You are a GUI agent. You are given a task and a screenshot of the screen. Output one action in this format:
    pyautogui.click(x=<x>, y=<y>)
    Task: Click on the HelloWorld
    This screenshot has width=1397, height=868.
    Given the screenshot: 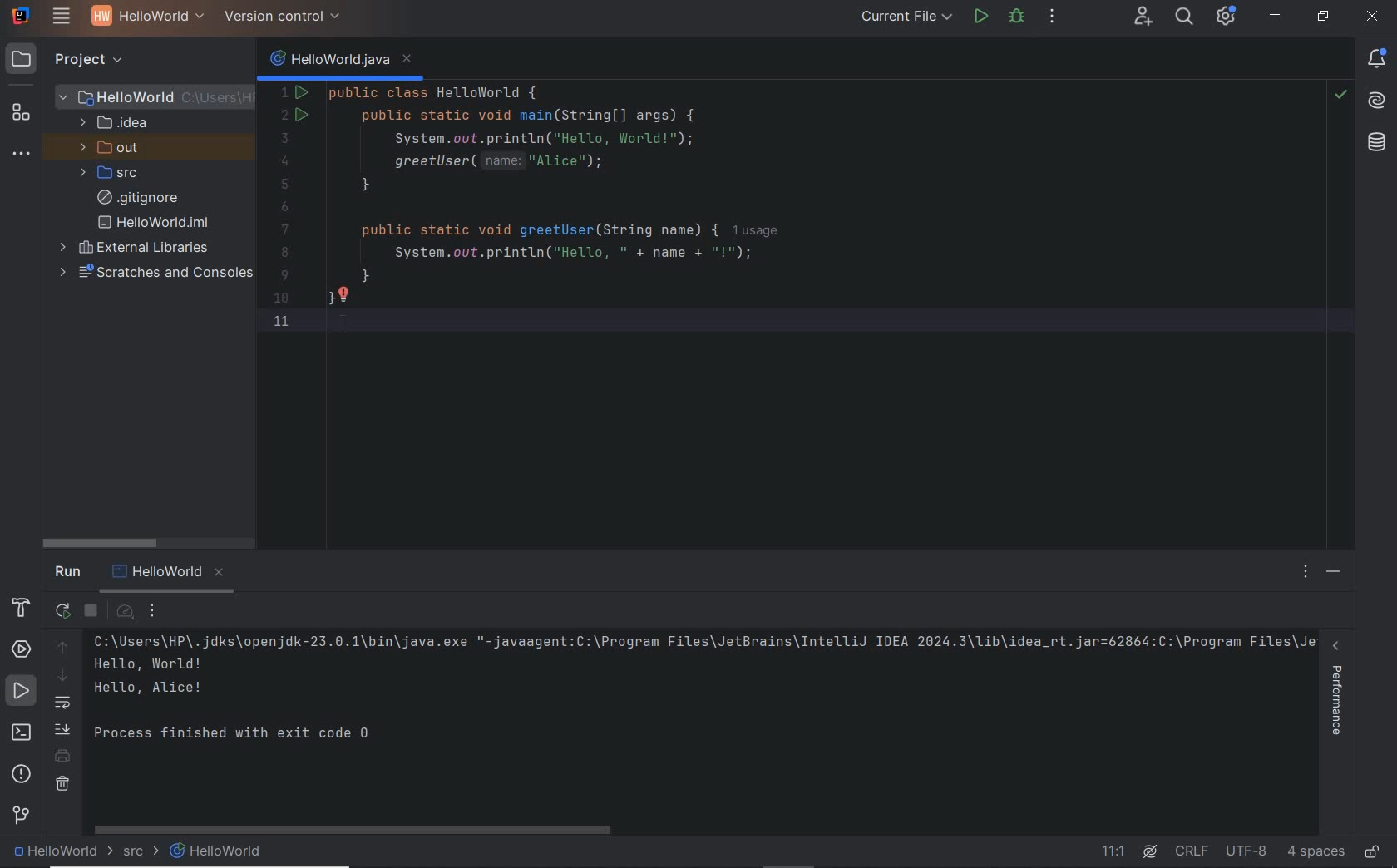 What is the action you would take?
    pyautogui.click(x=216, y=851)
    